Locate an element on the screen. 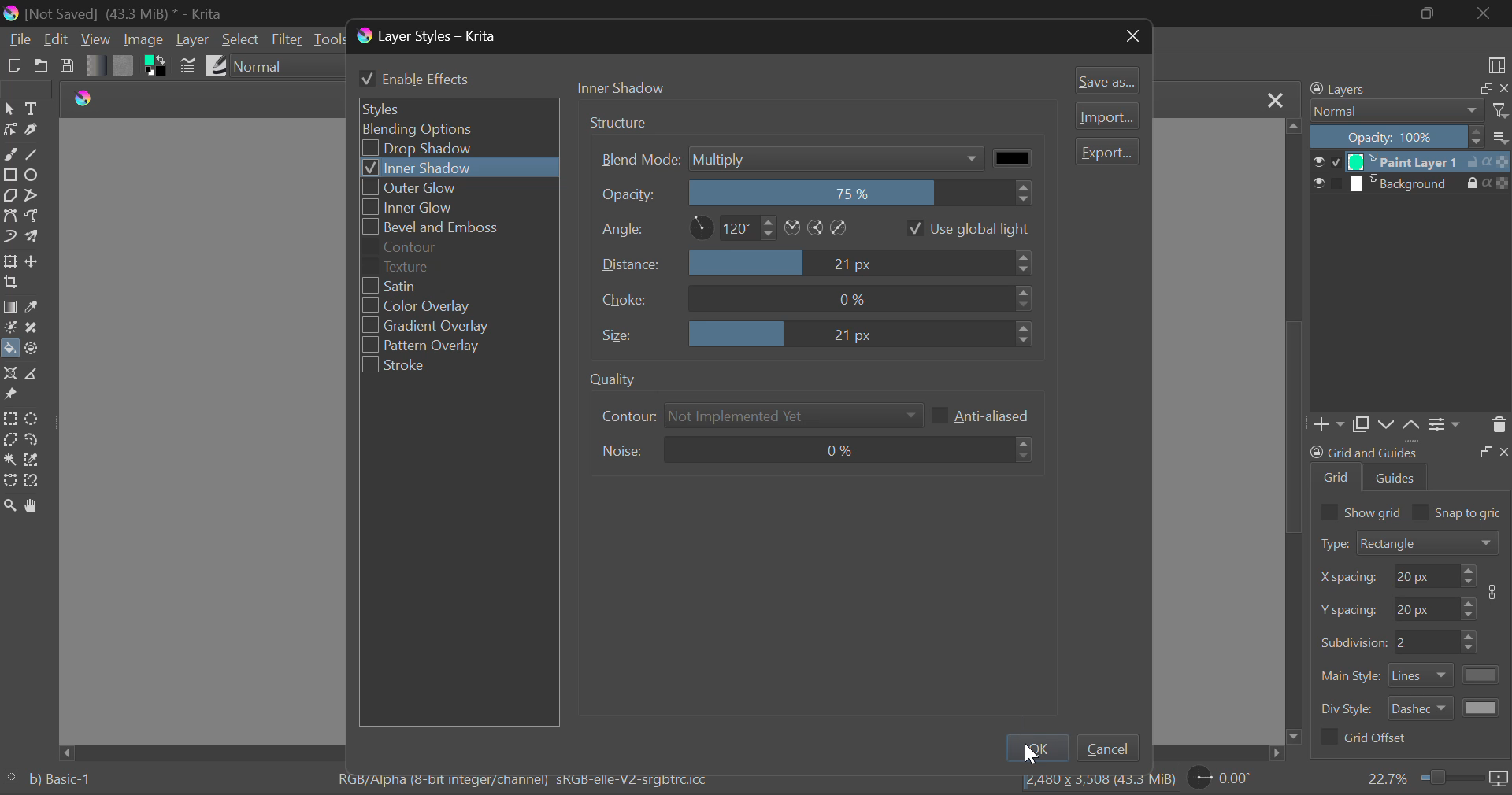 This screenshot has width=1512, height=795. Bezier Curve is located at coordinates (10, 215).